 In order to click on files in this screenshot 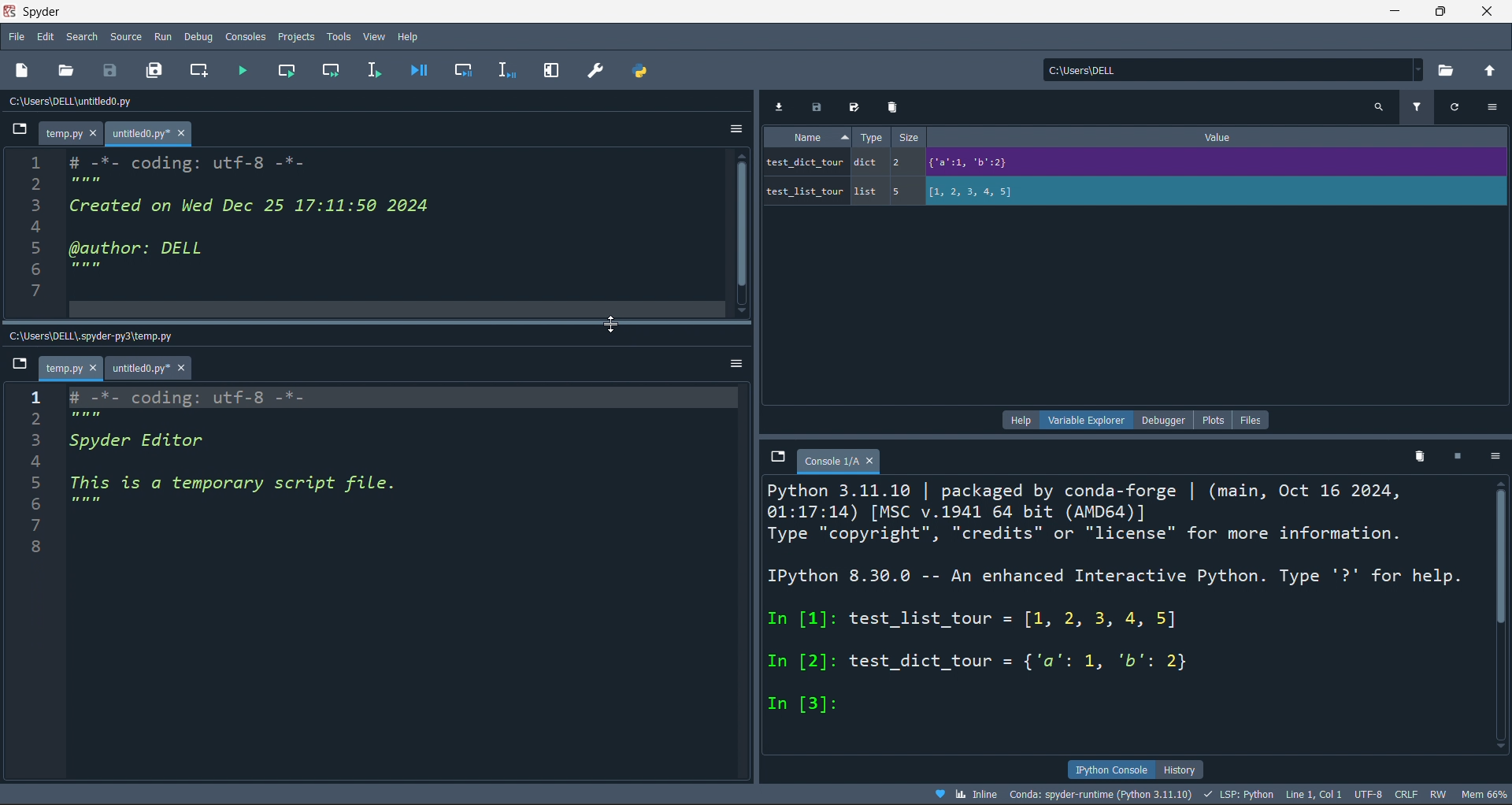, I will do `click(1254, 417)`.